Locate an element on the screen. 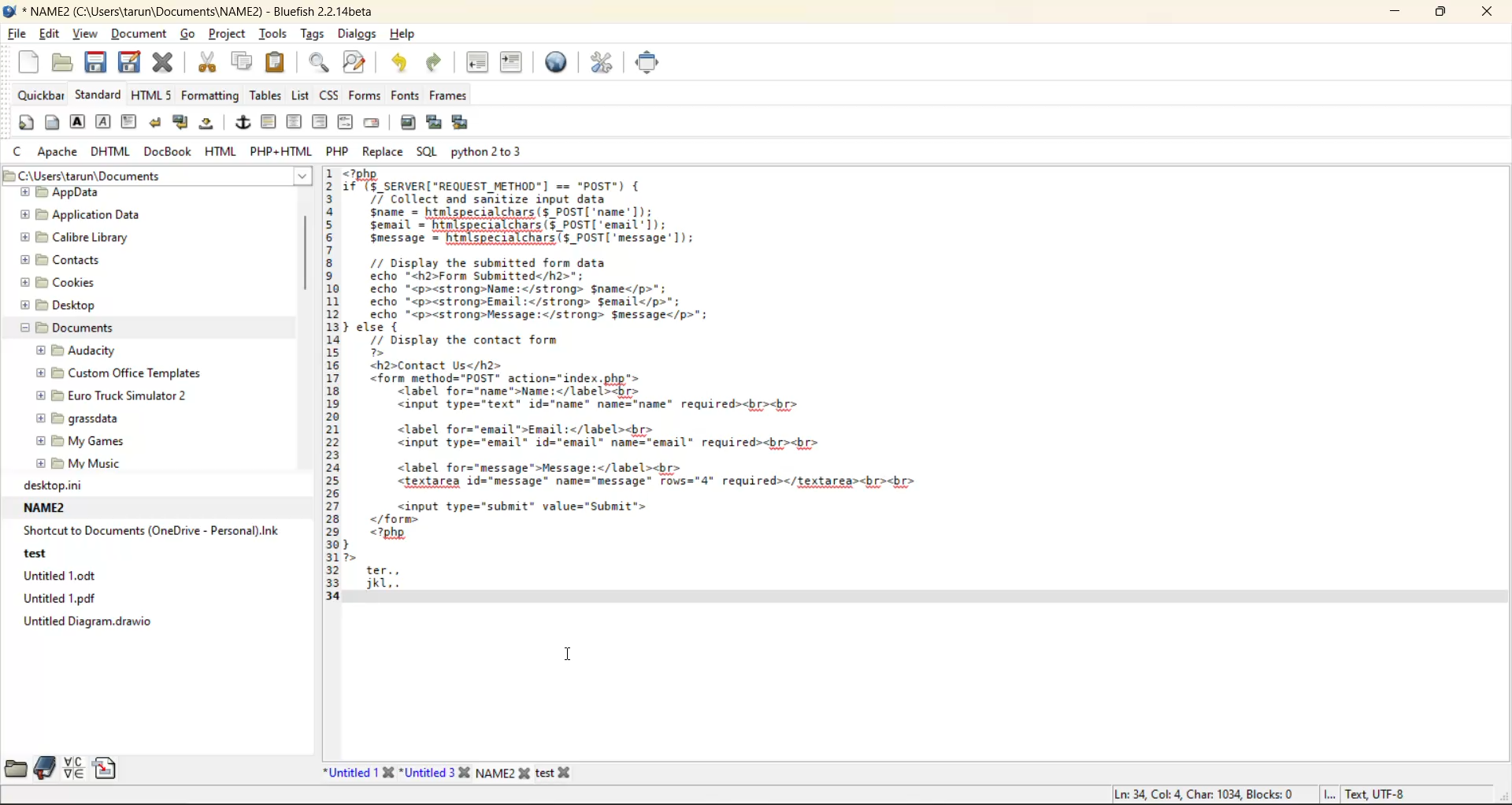 The image size is (1512, 805). Ln: 34, Col: 4 Char: 1034, Blocks: 0 is located at coordinates (1195, 791).